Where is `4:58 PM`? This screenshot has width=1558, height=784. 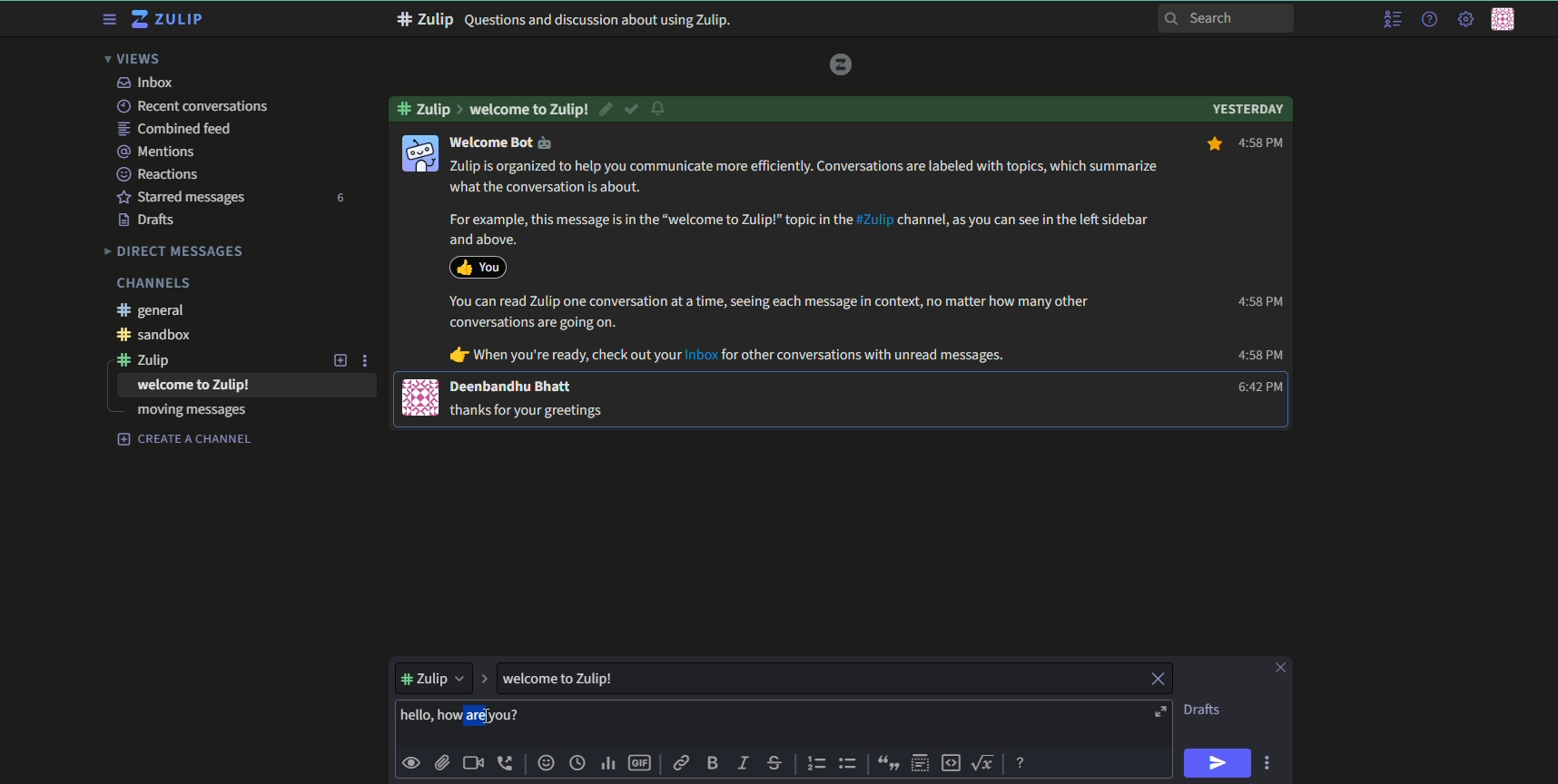
4:58 PM is located at coordinates (1245, 144).